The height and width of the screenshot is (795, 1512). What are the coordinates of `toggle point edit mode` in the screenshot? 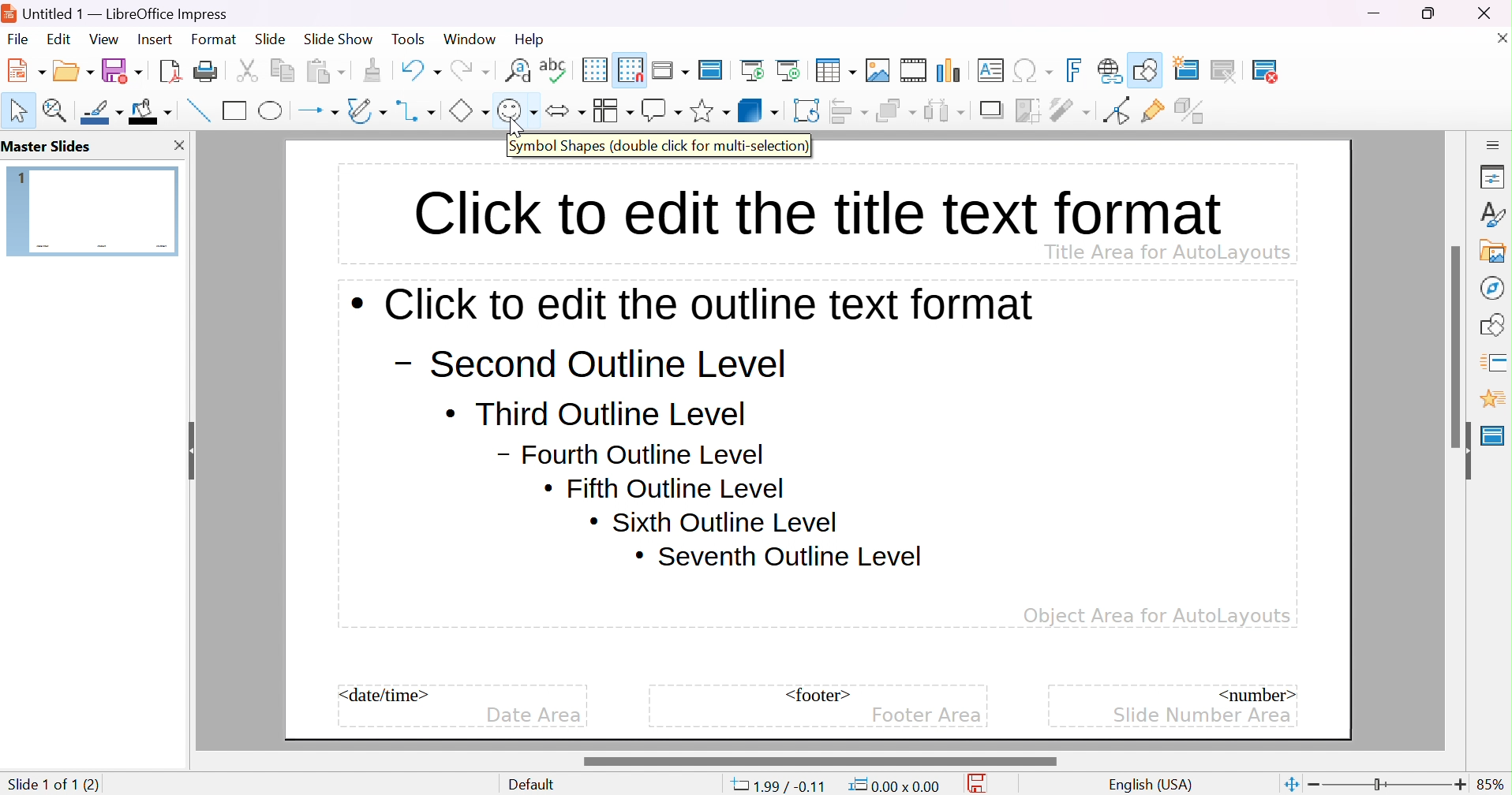 It's located at (1115, 110).